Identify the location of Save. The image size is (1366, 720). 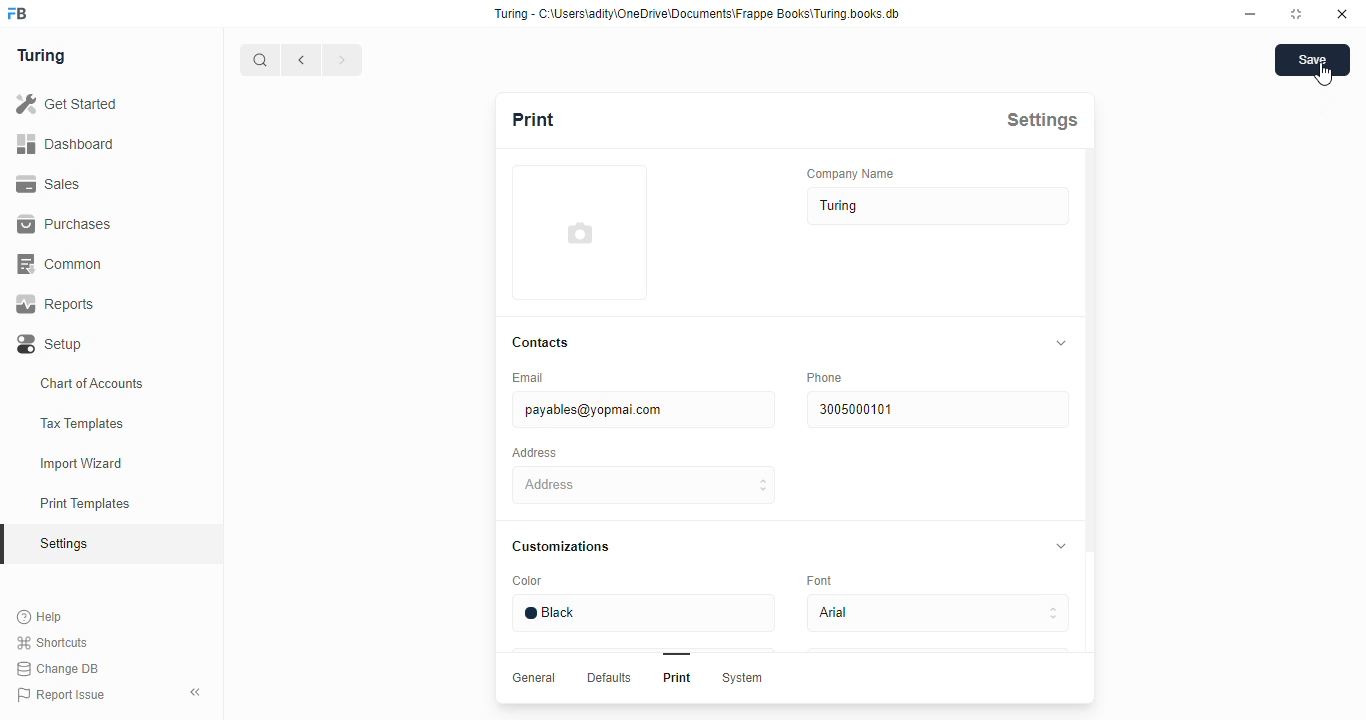
(1314, 60).